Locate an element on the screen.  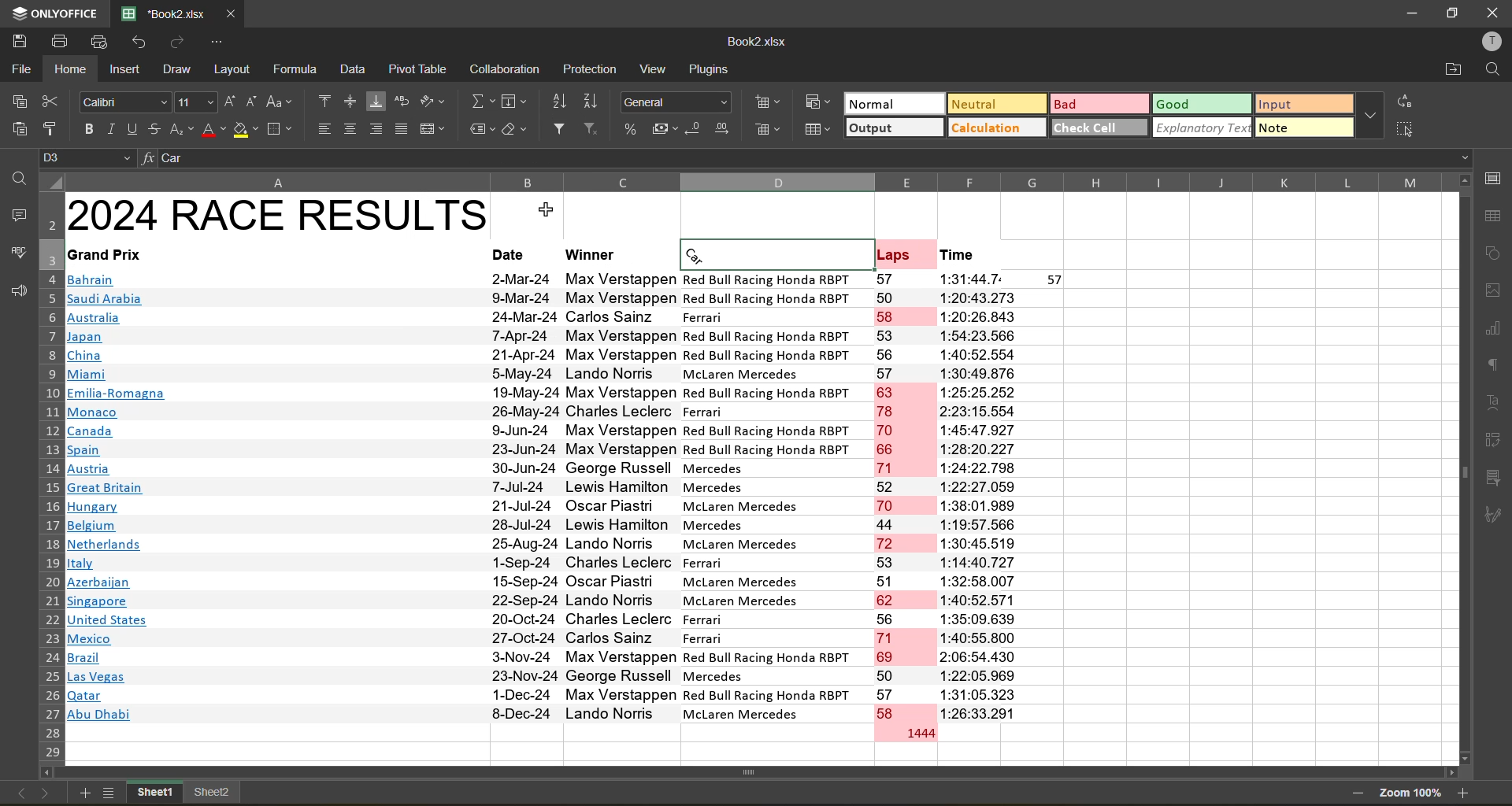
neutral is located at coordinates (996, 103).